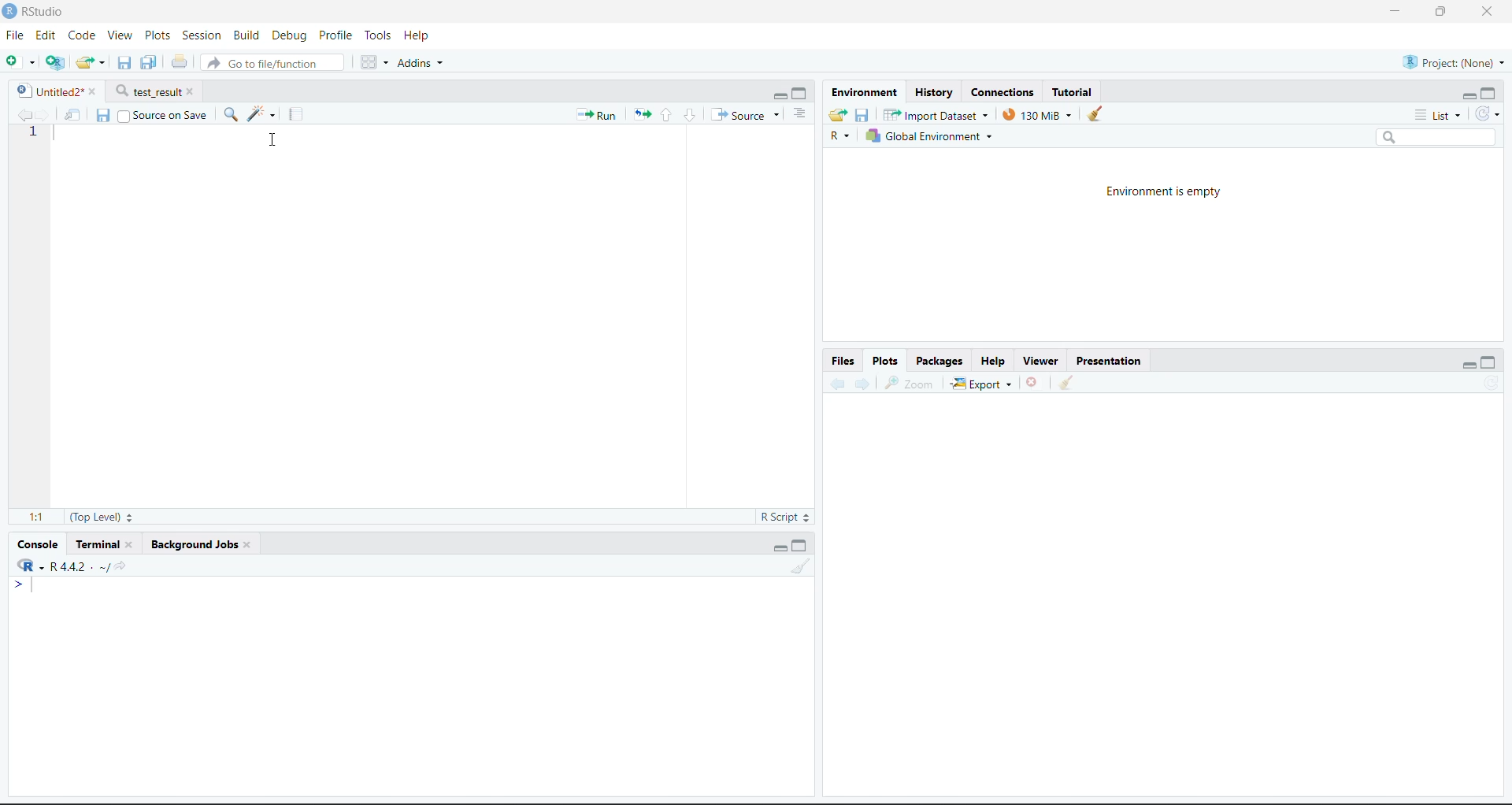 This screenshot has height=805, width=1512. Describe the element at coordinates (54, 62) in the screenshot. I see `Create a project` at that location.